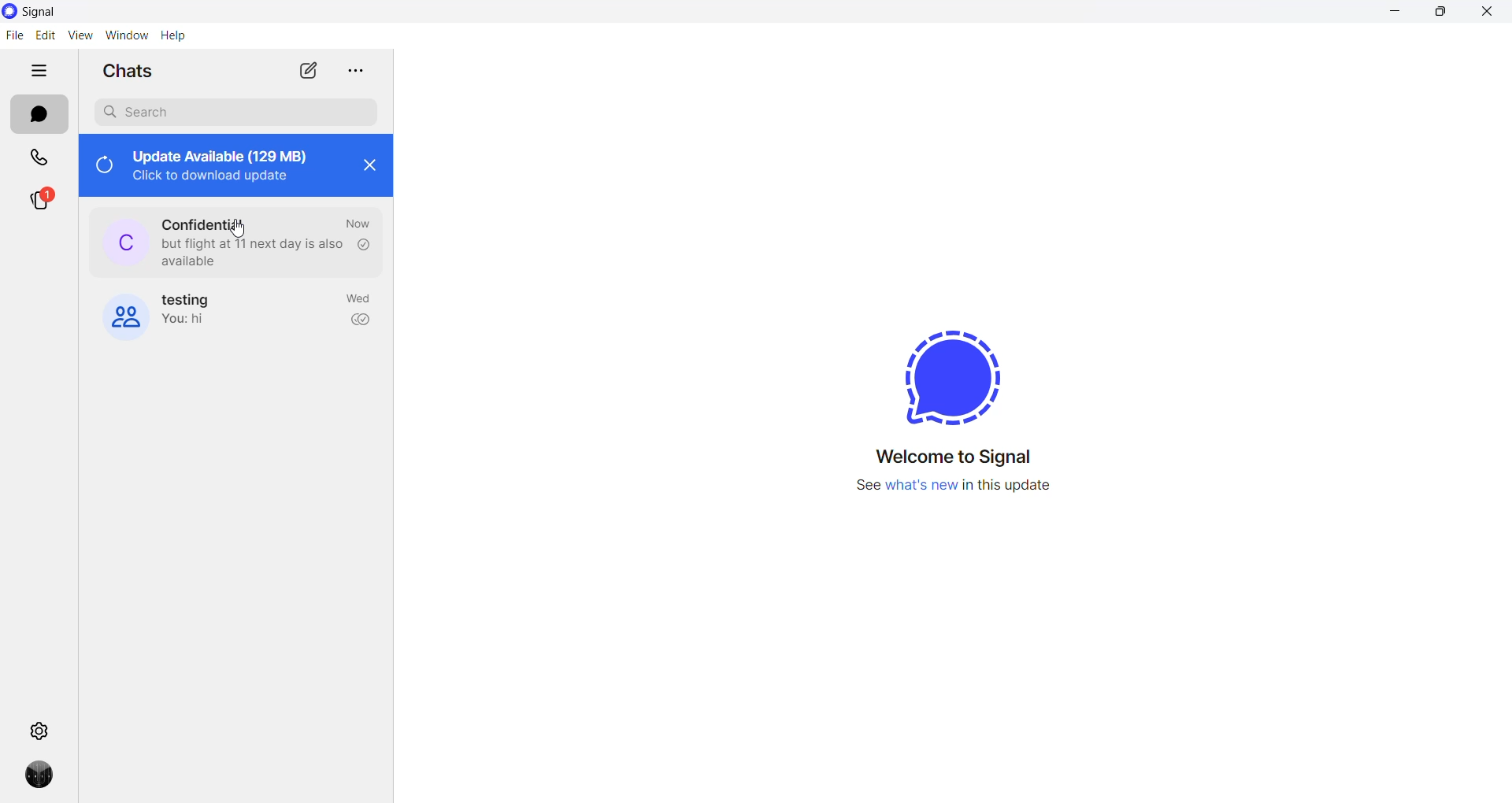  Describe the element at coordinates (1440, 13) in the screenshot. I see `maximize` at that location.